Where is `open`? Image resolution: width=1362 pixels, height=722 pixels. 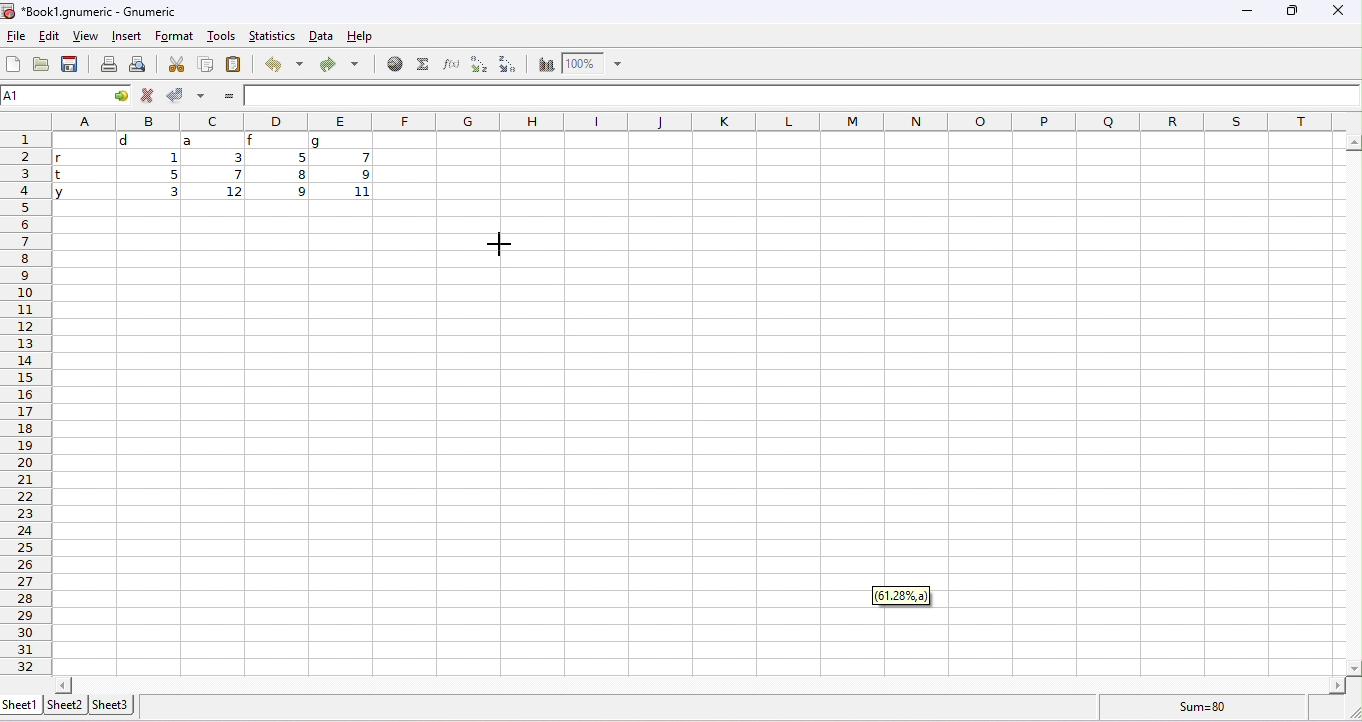 open is located at coordinates (43, 65).